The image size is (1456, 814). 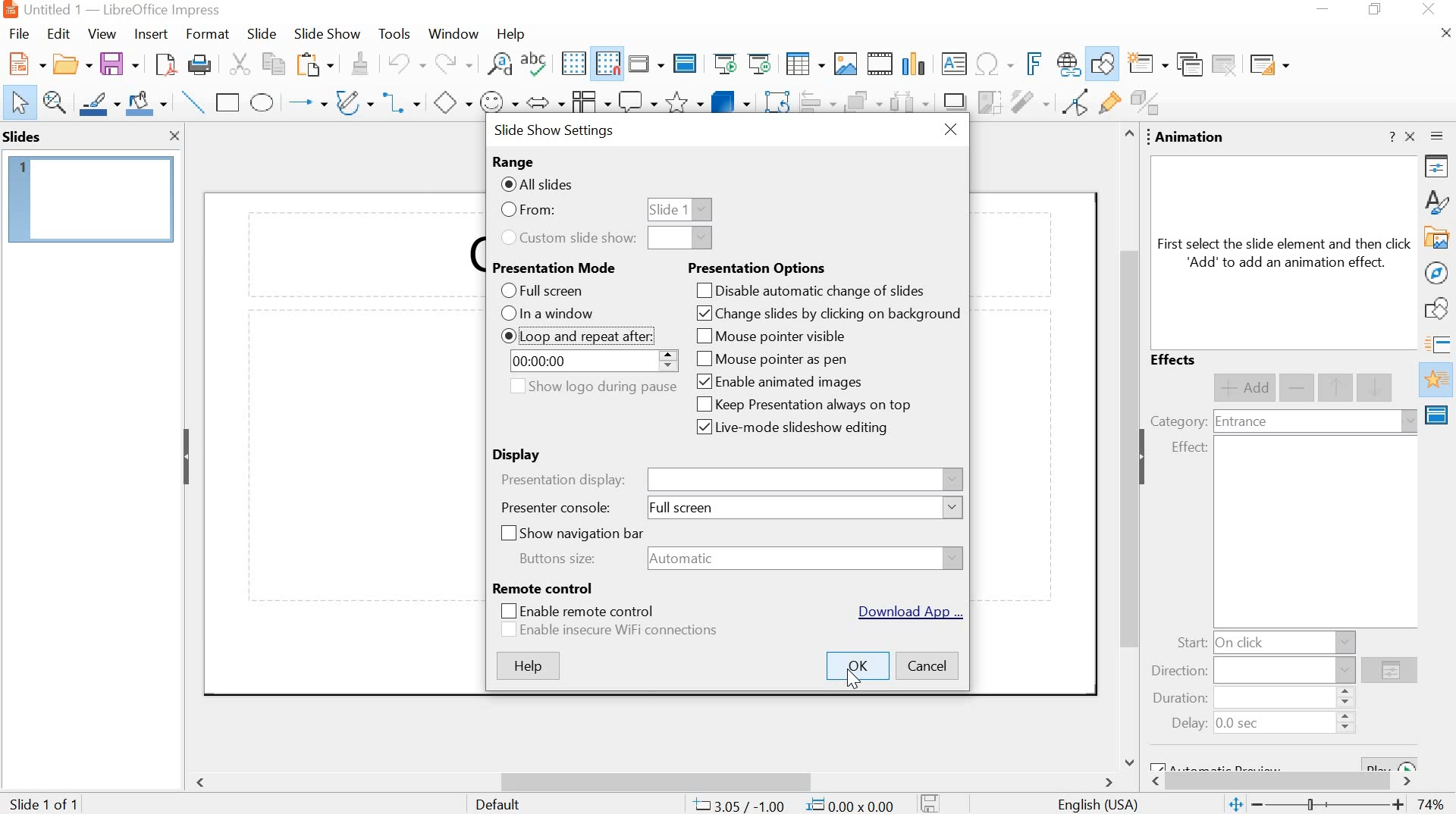 What do you see at coordinates (861, 104) in the screenshot?
I see `arrange` at bounding box center [861, 104].